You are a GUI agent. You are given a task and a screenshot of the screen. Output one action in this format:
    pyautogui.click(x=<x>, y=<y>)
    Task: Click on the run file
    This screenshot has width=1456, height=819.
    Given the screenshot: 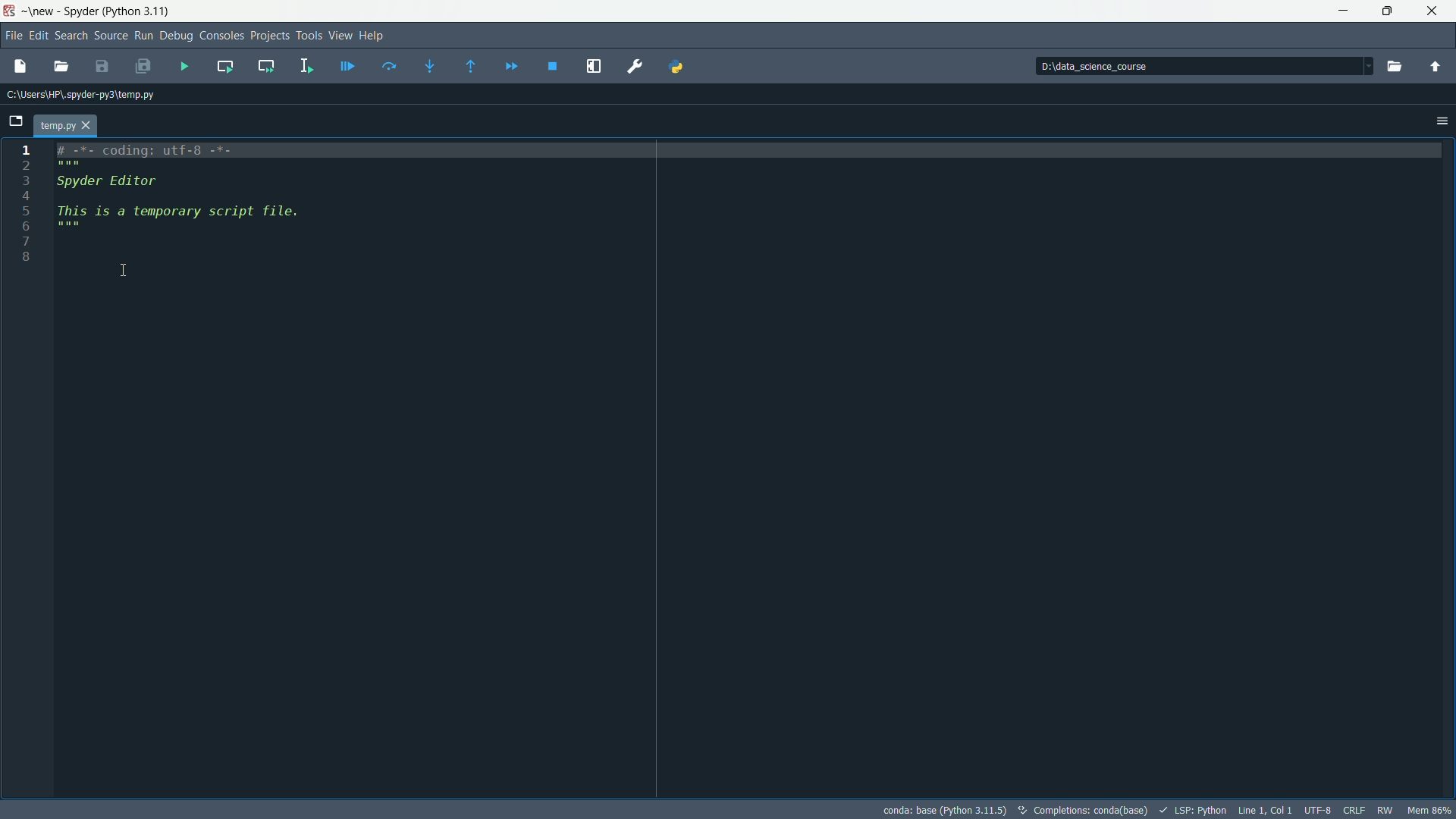 What is the action you would take?
    pyautogui.click(x=186, y=67)
    